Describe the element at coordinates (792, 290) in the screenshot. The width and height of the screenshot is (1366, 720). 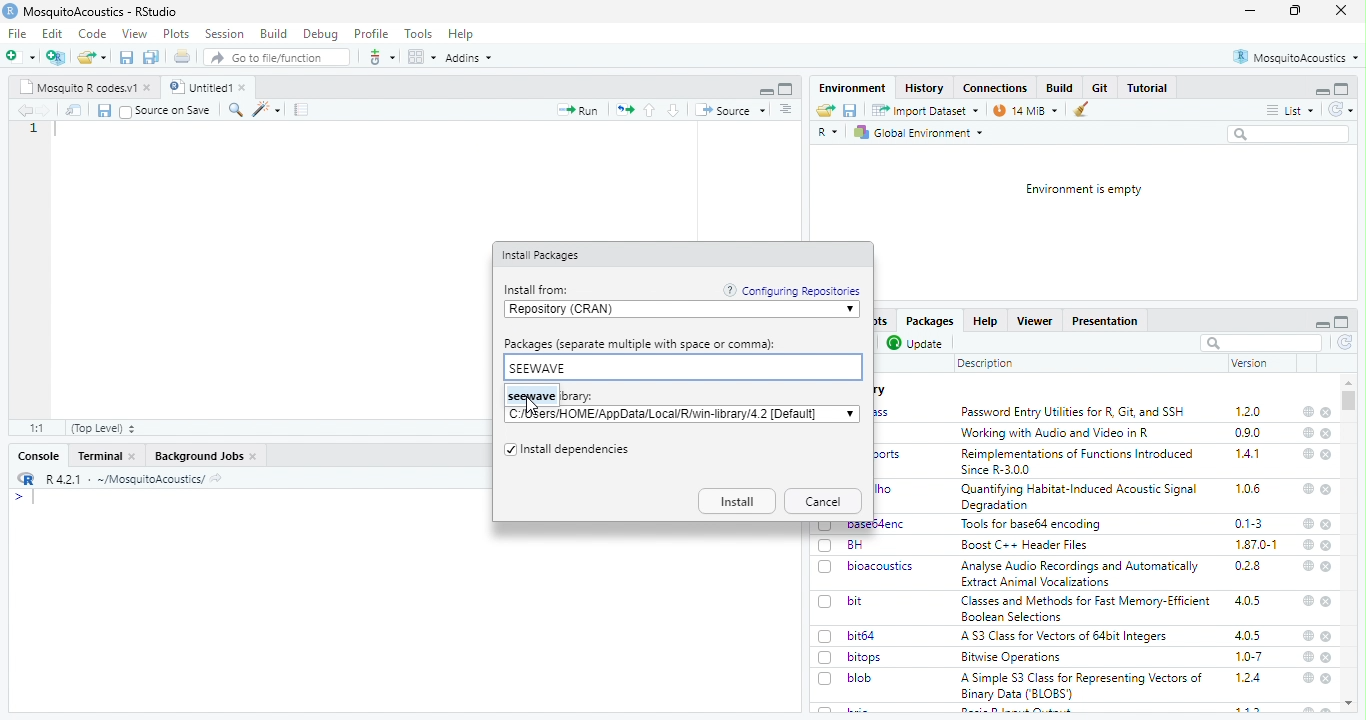
I see `7 Configuring Repositories` at that location.